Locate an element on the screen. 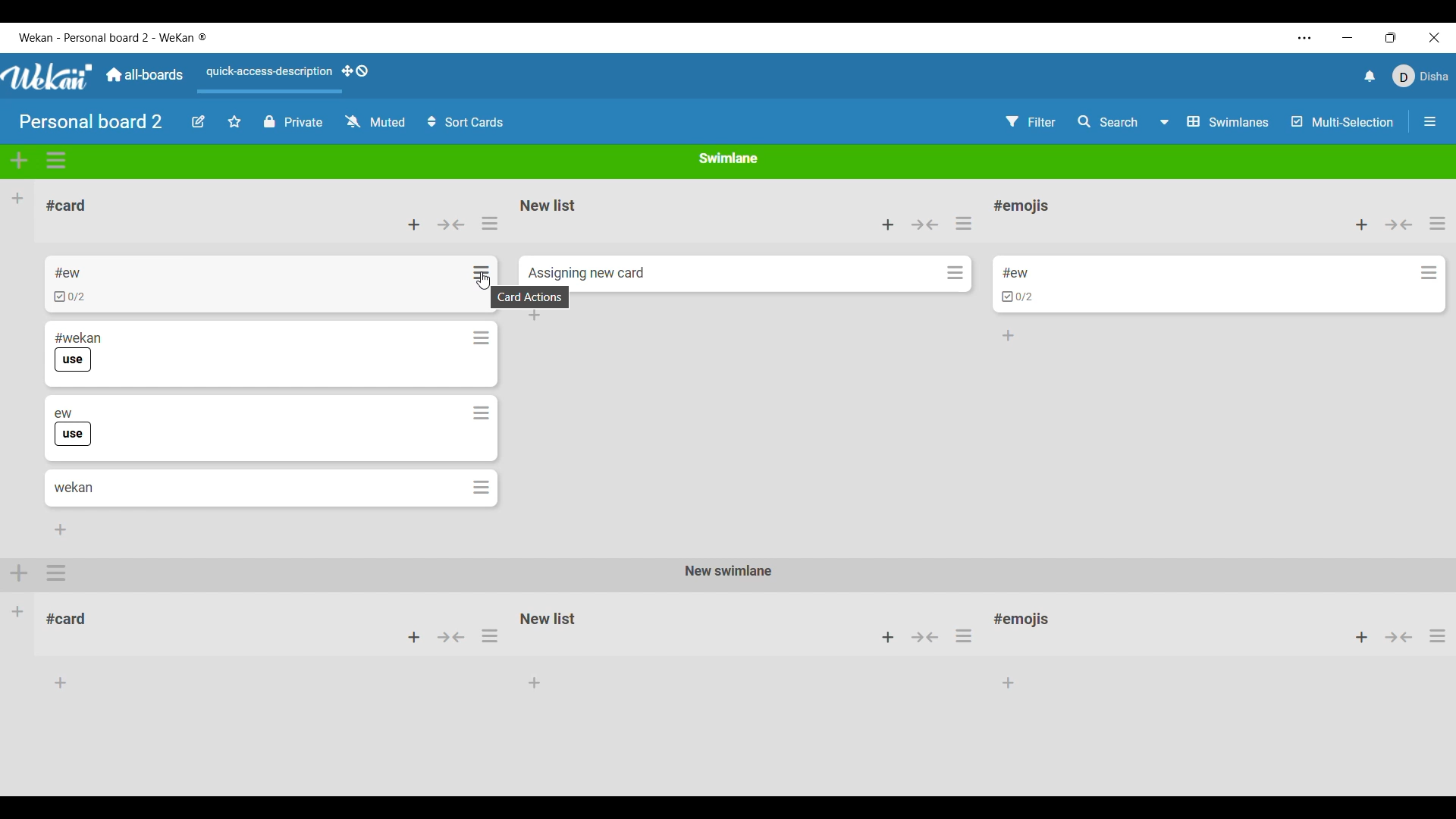 The width and height of the screenshot is (1456, 819). Indicates card has cheklist is located at coordinates (1018, 297).